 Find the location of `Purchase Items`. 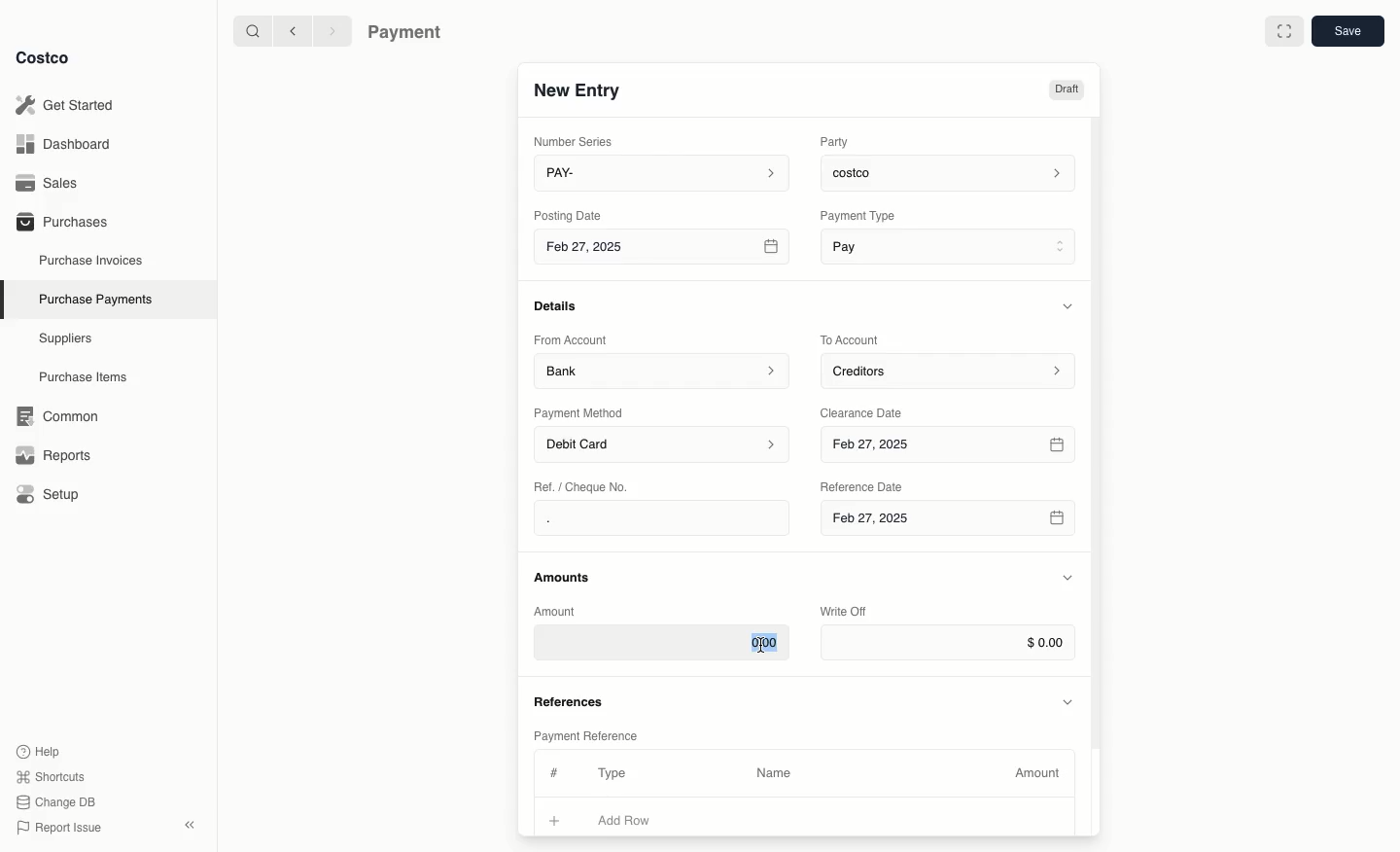

Purchase Items is located at coordinates (86, 377).